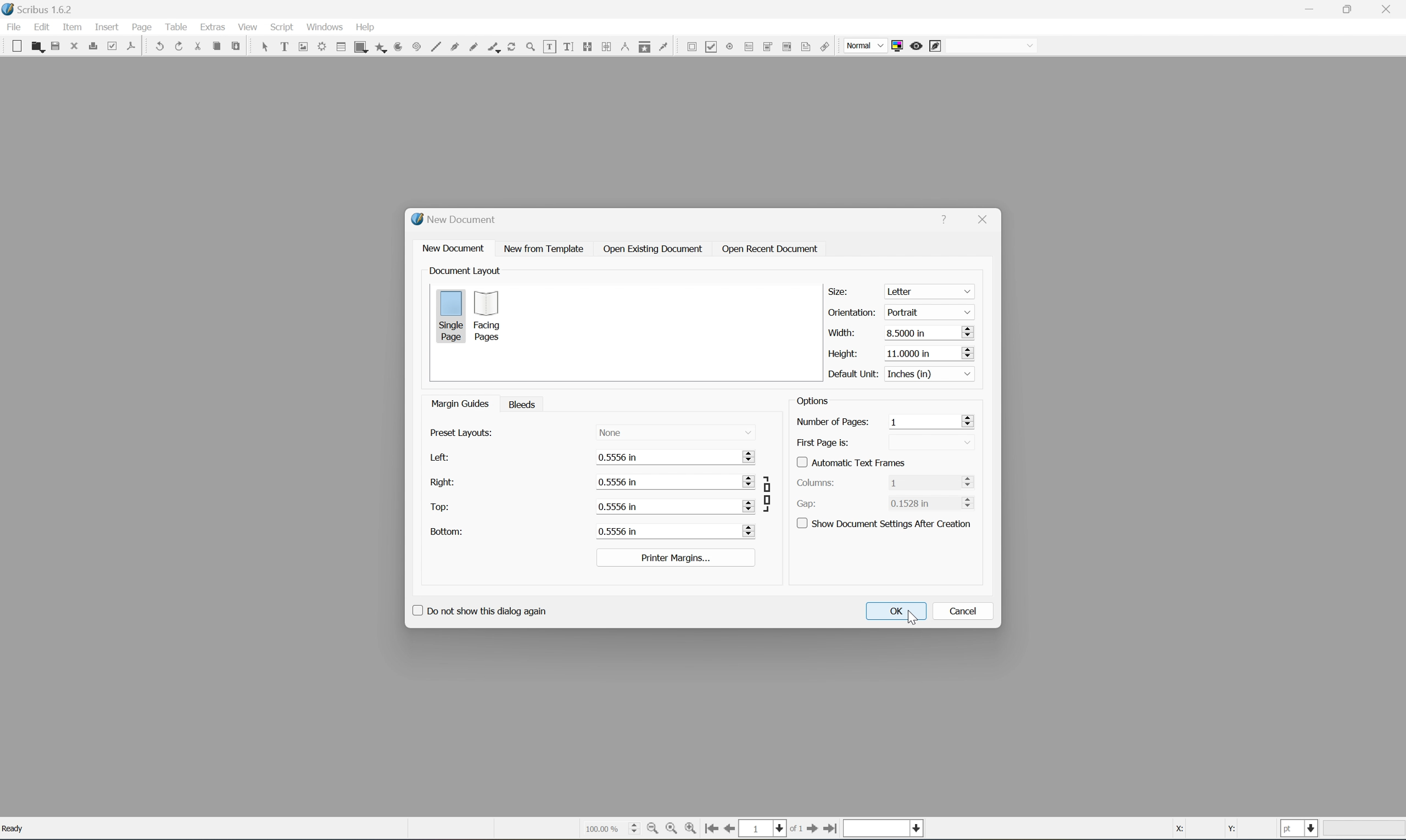 The height and width of the screenshot is (840, 1406). Describe the element at coordinates (916, 45) in the screenshot. I see `preview mode` at that location.